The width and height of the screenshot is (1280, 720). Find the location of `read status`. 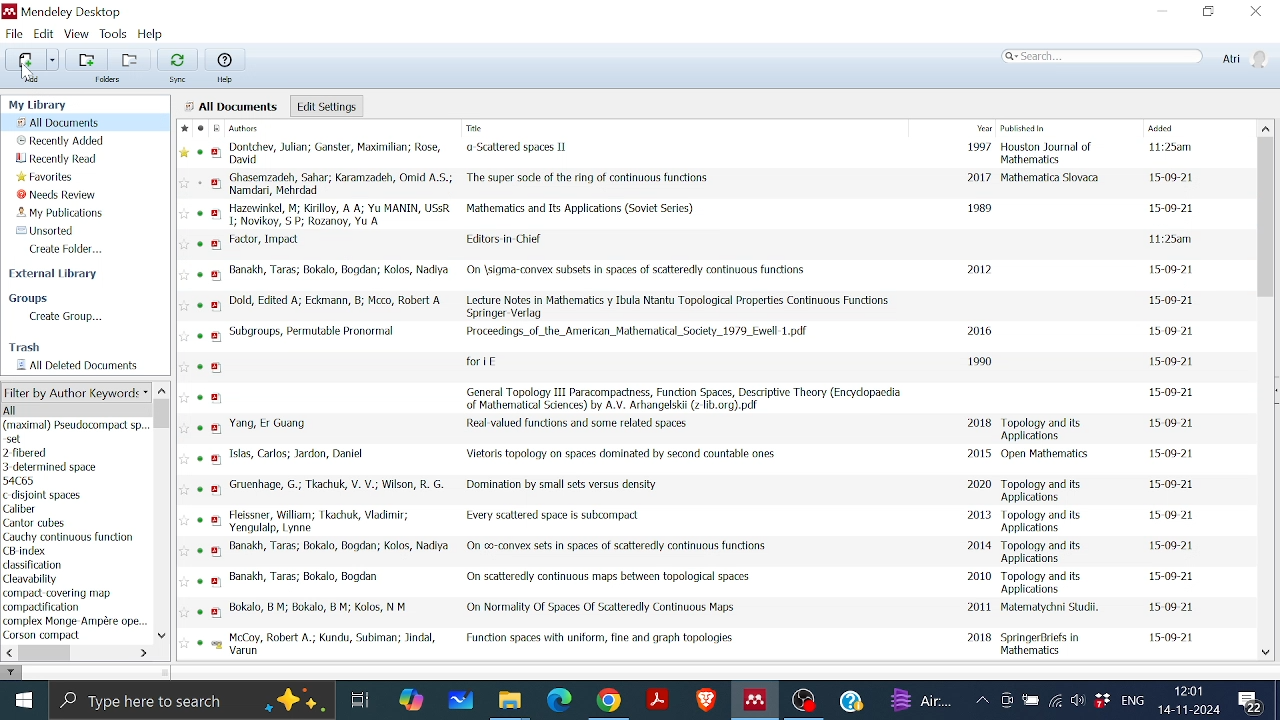

read status is located at coordinates (204, 306).